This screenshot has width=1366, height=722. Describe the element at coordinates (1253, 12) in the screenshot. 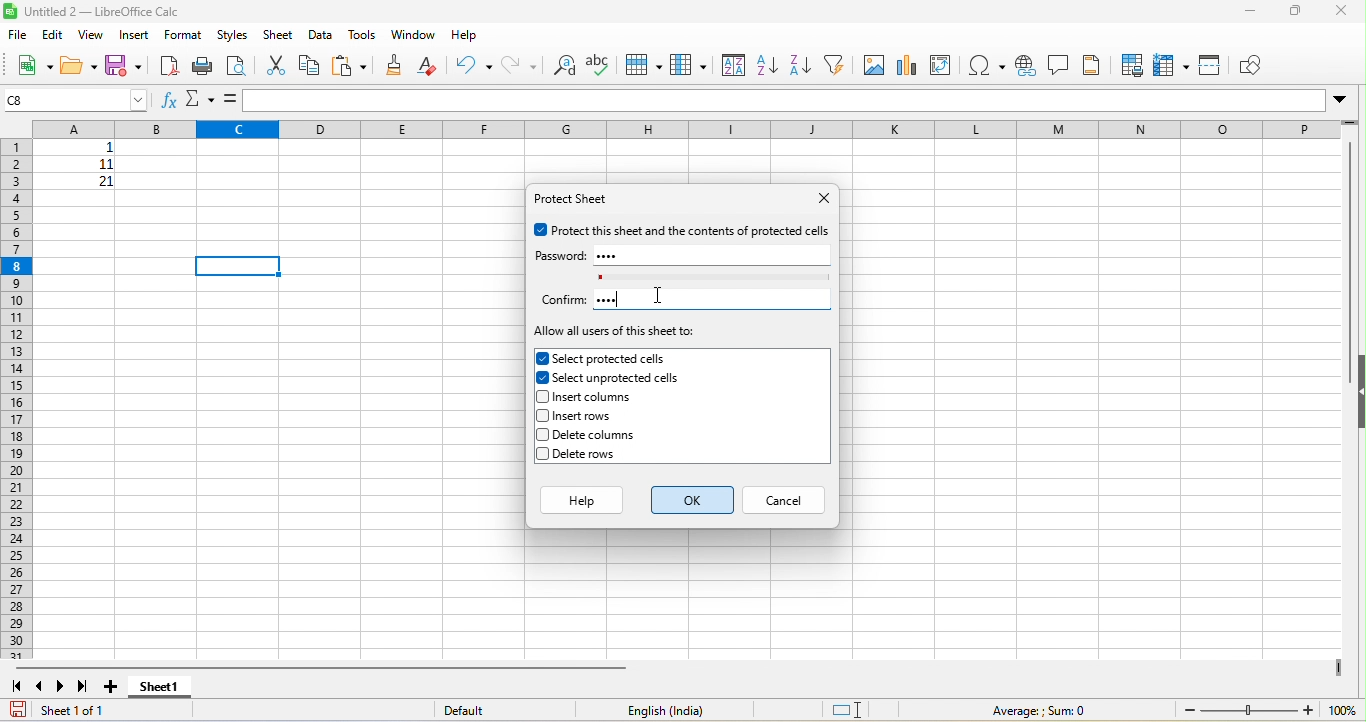

I see `minimize` at that location.